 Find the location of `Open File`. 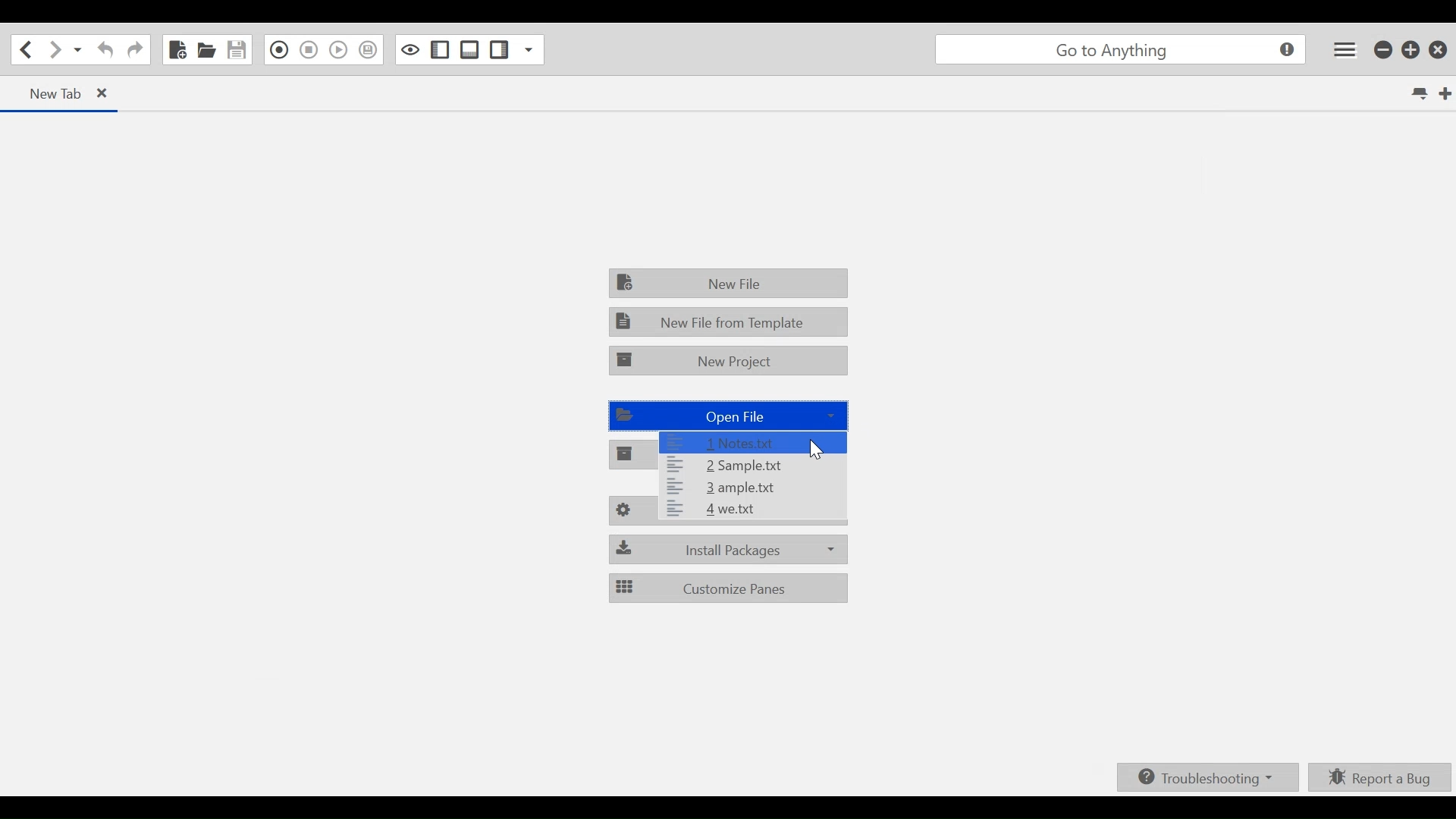

Open File is located at coordinates (206, 50).